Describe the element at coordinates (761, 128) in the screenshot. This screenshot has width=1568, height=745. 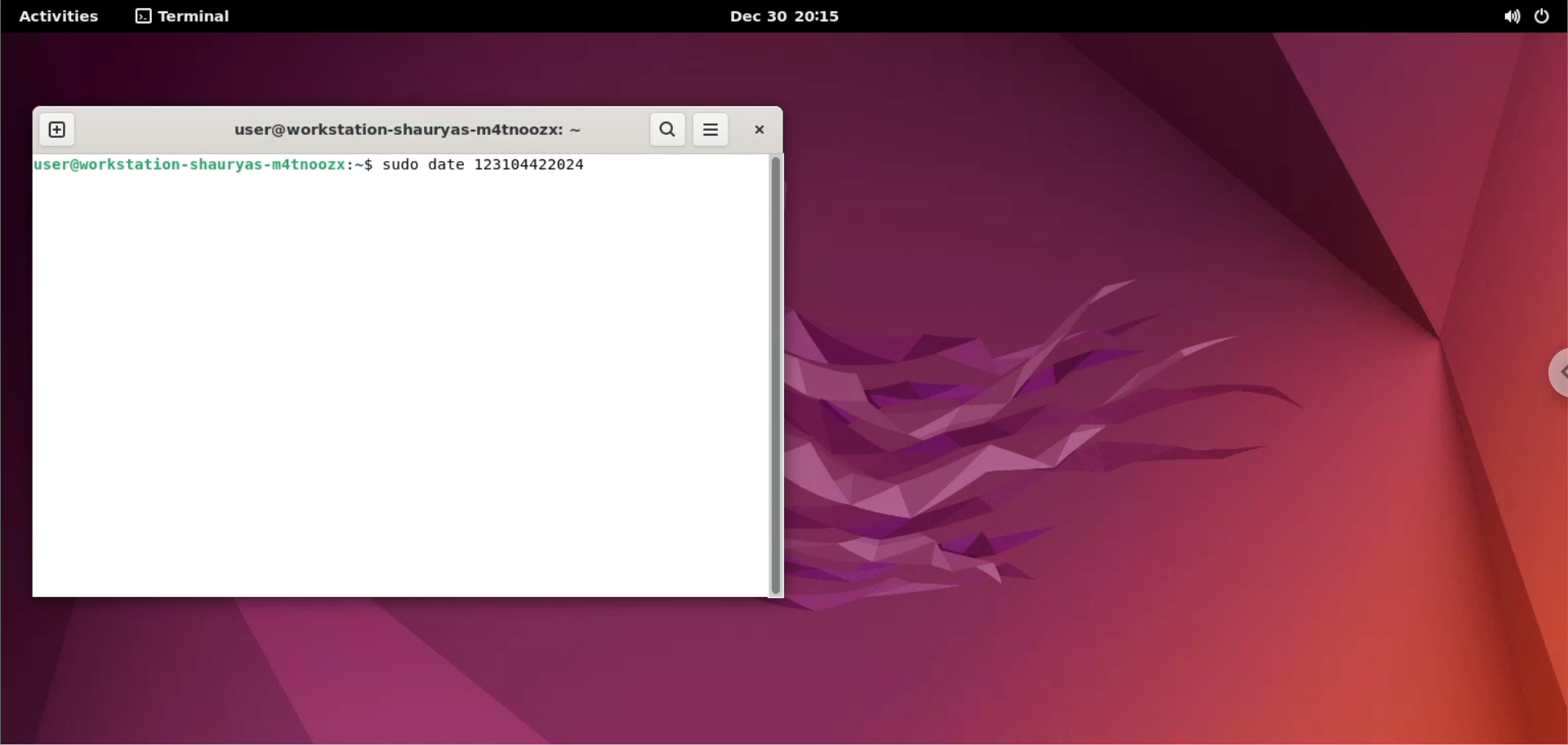
I see `close` at that location.